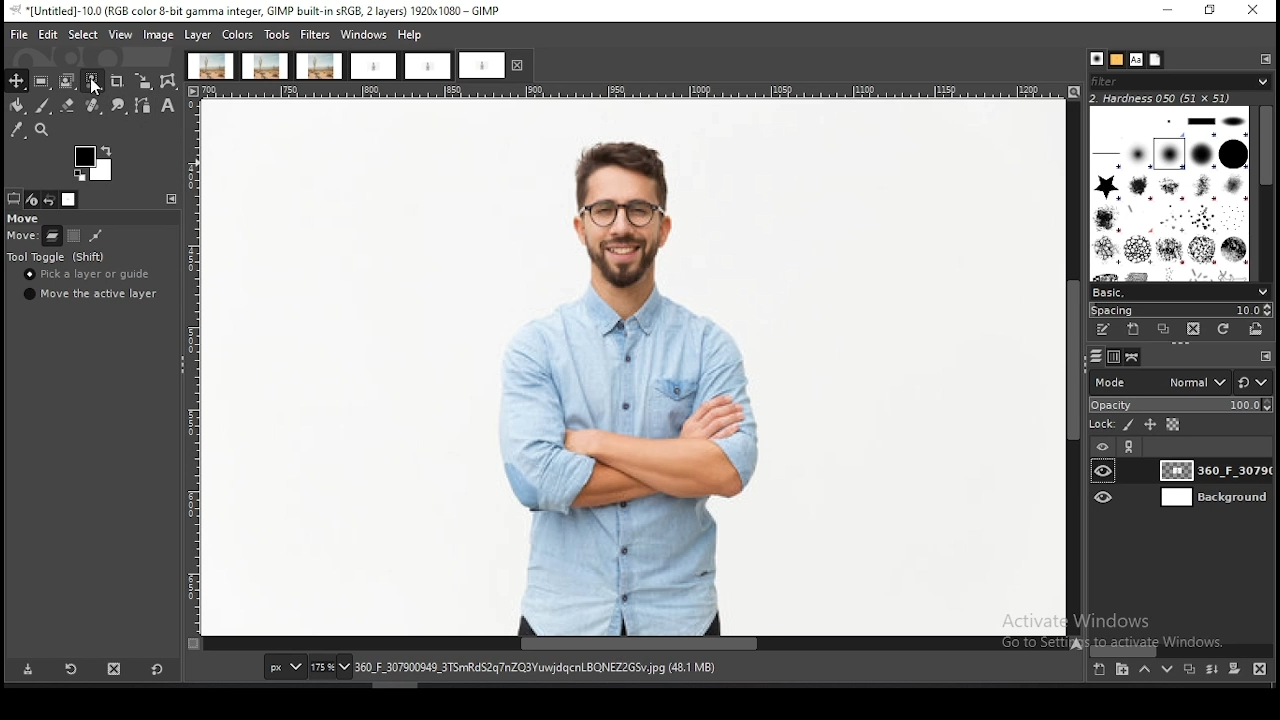 The height and width of the screenshot is (720, 1280). Describe the element at coordinates (27, 217) in the screenshot. I see `move` at that location.